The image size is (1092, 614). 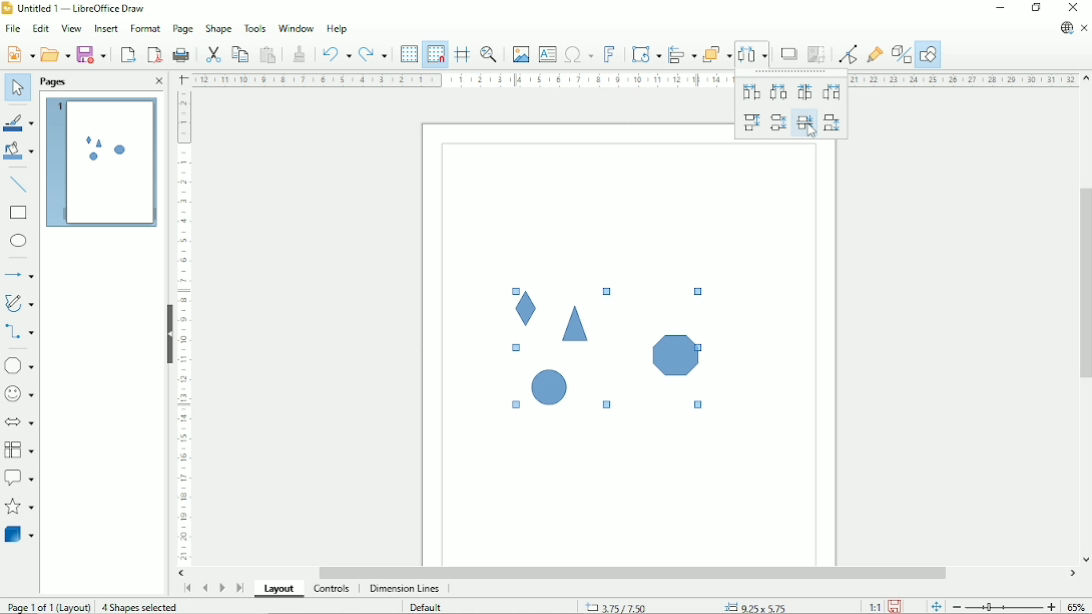 What do you see at coordinates (332, 589) in the screenshot?
I see `Controls` at bounding box center [332, 589].